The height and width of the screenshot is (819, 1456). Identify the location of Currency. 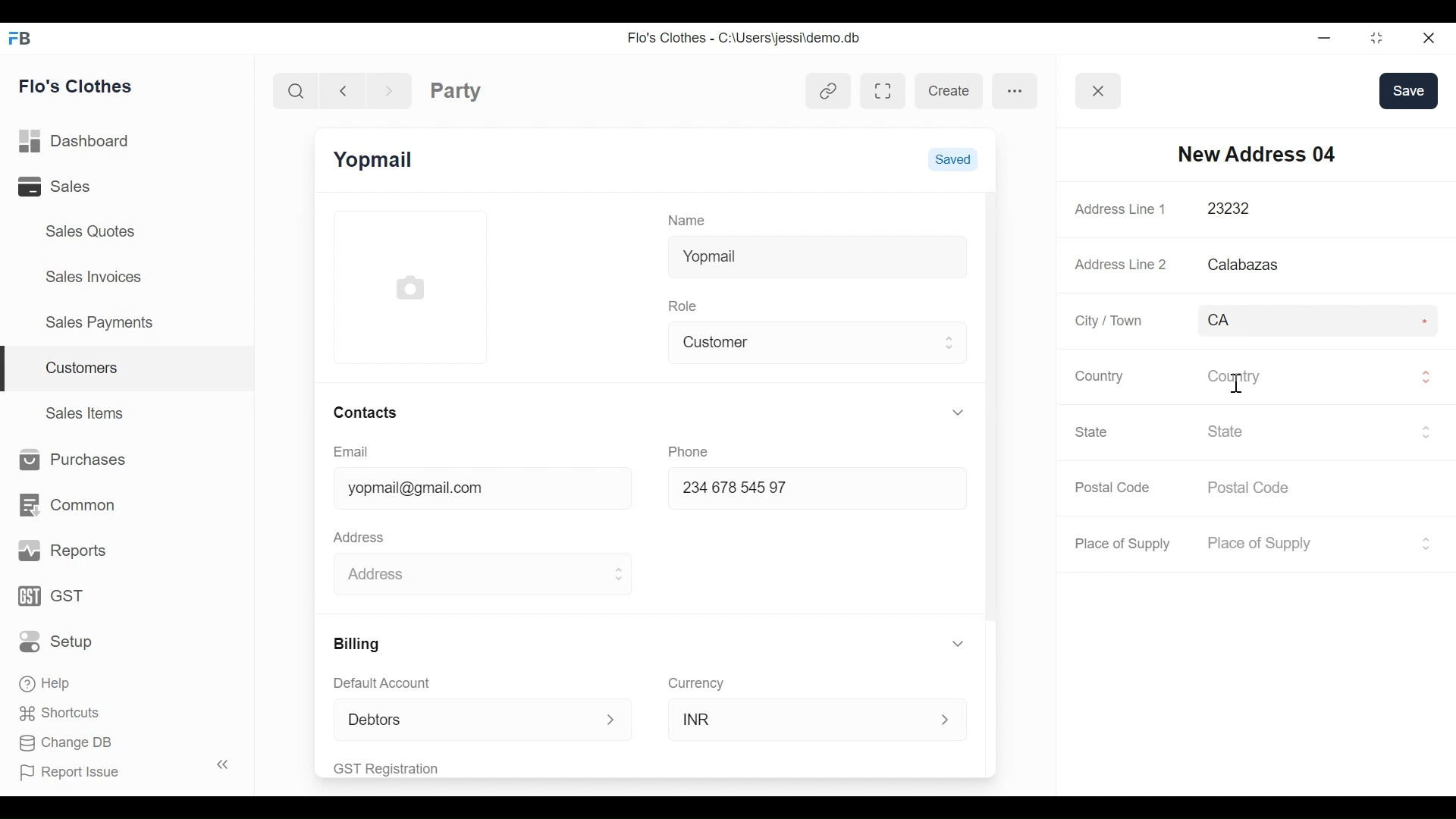
(697, 682).